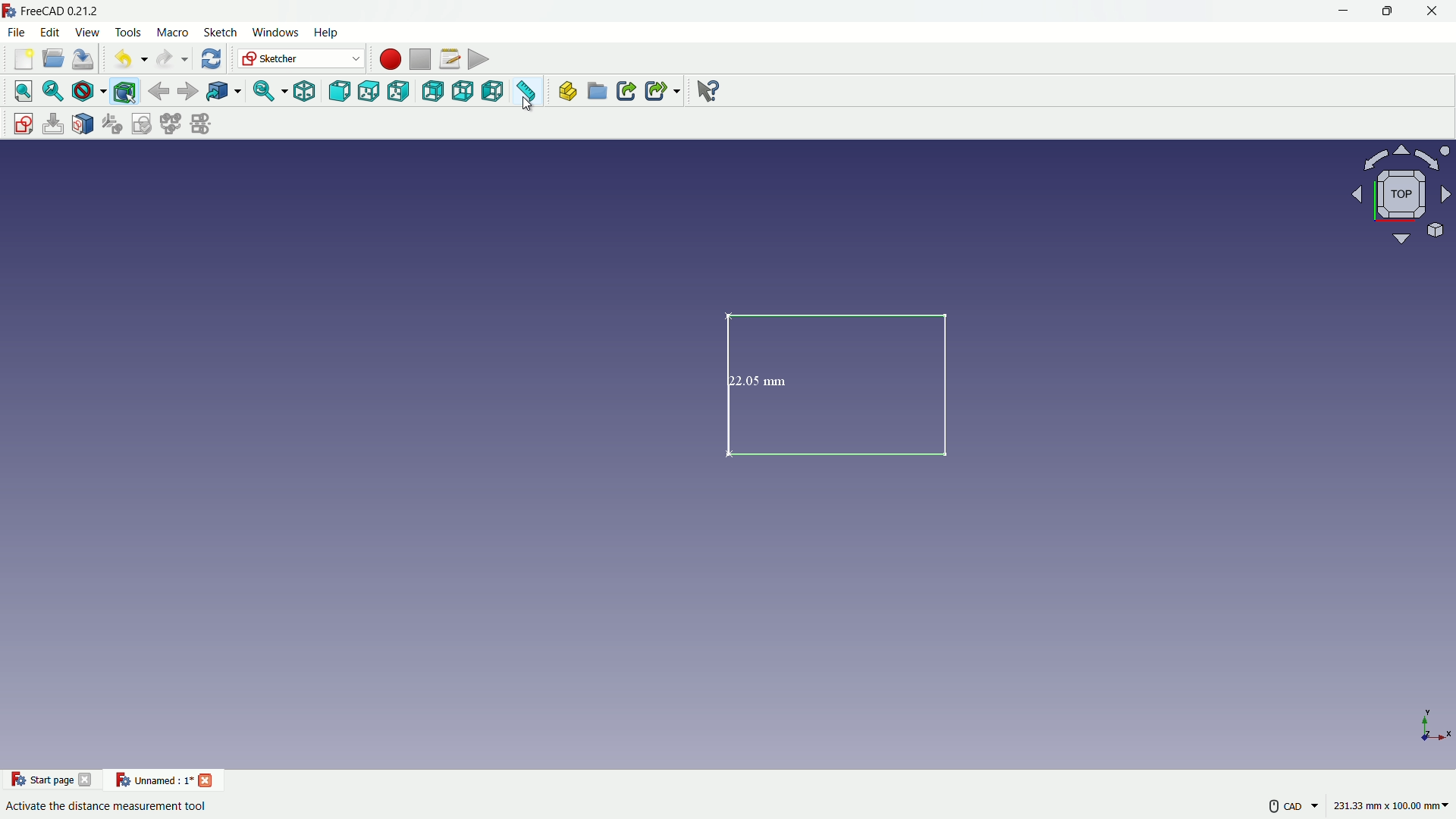 The width and height of the screenshot is (1456, 819). Describe the element at coordinates (72, 11) in the screenshot. I see `FreeCAD 0212` at that location.